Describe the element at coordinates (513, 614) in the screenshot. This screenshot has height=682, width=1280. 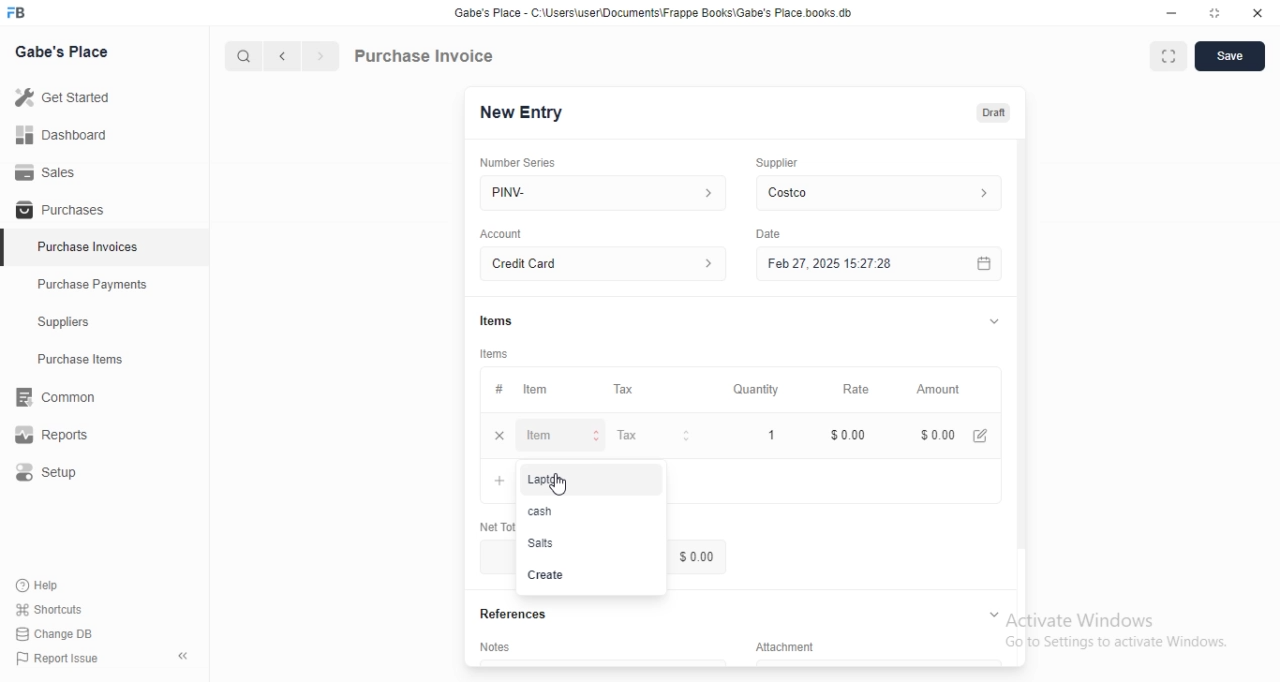
I see `References` at that location.